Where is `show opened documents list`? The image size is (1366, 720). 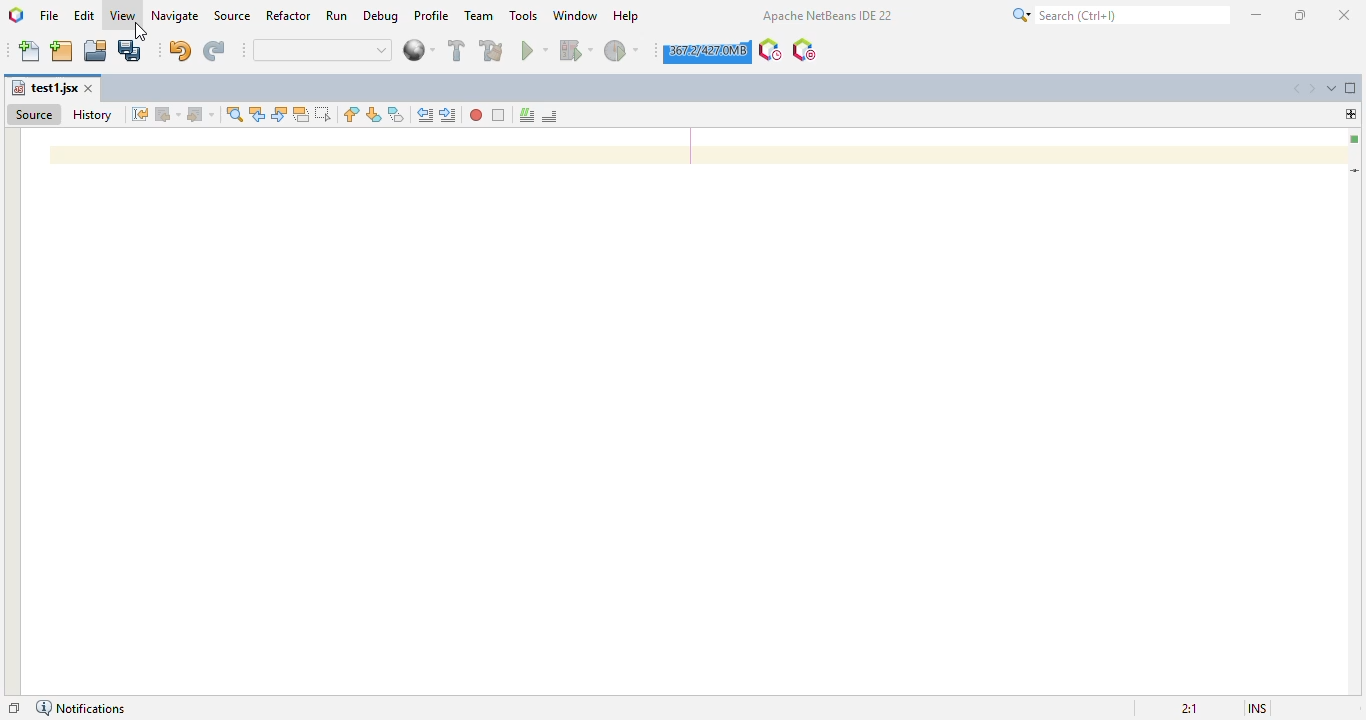
show opened documents list is located at coordinates (1332, 88).